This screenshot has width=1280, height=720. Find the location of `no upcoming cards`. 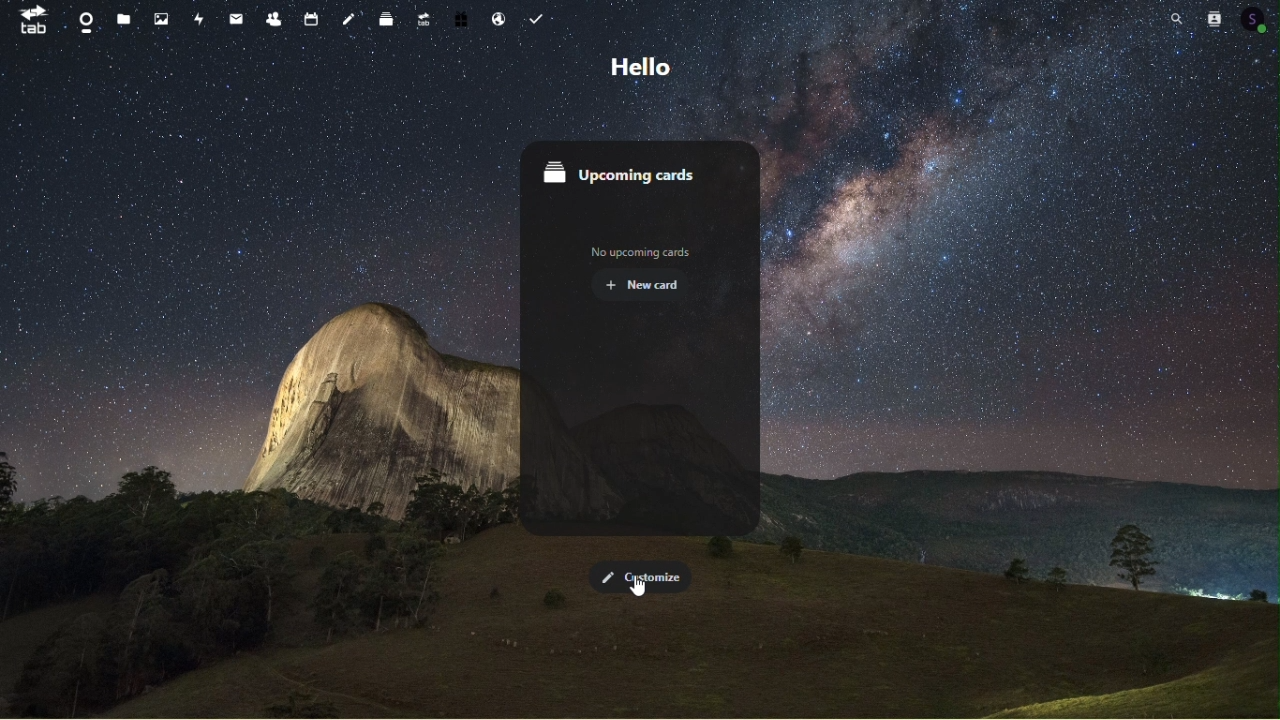

no upcoming cards is located at coordinates (644, 252).